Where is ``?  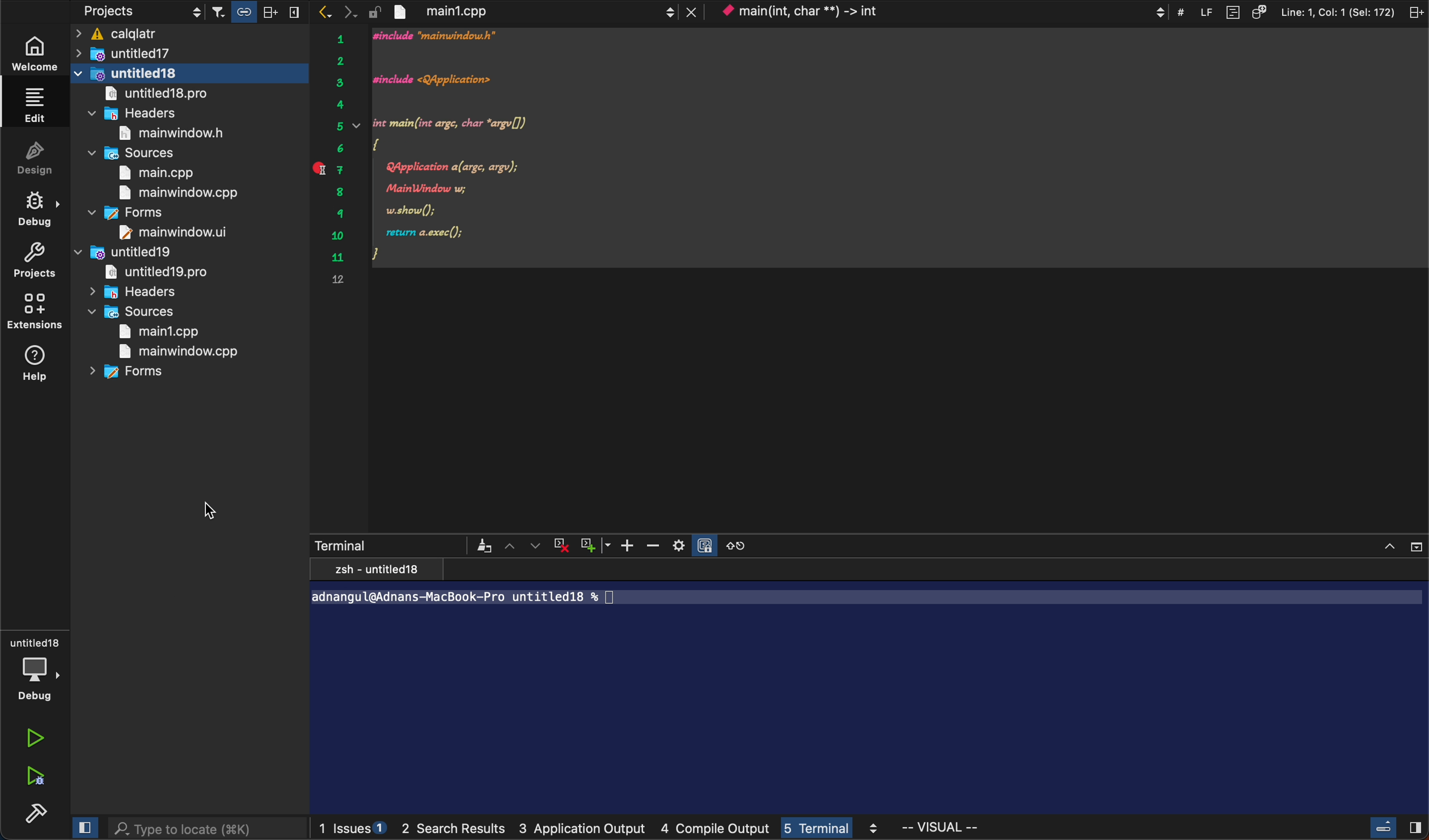
 is located at coordinates (488, 546).